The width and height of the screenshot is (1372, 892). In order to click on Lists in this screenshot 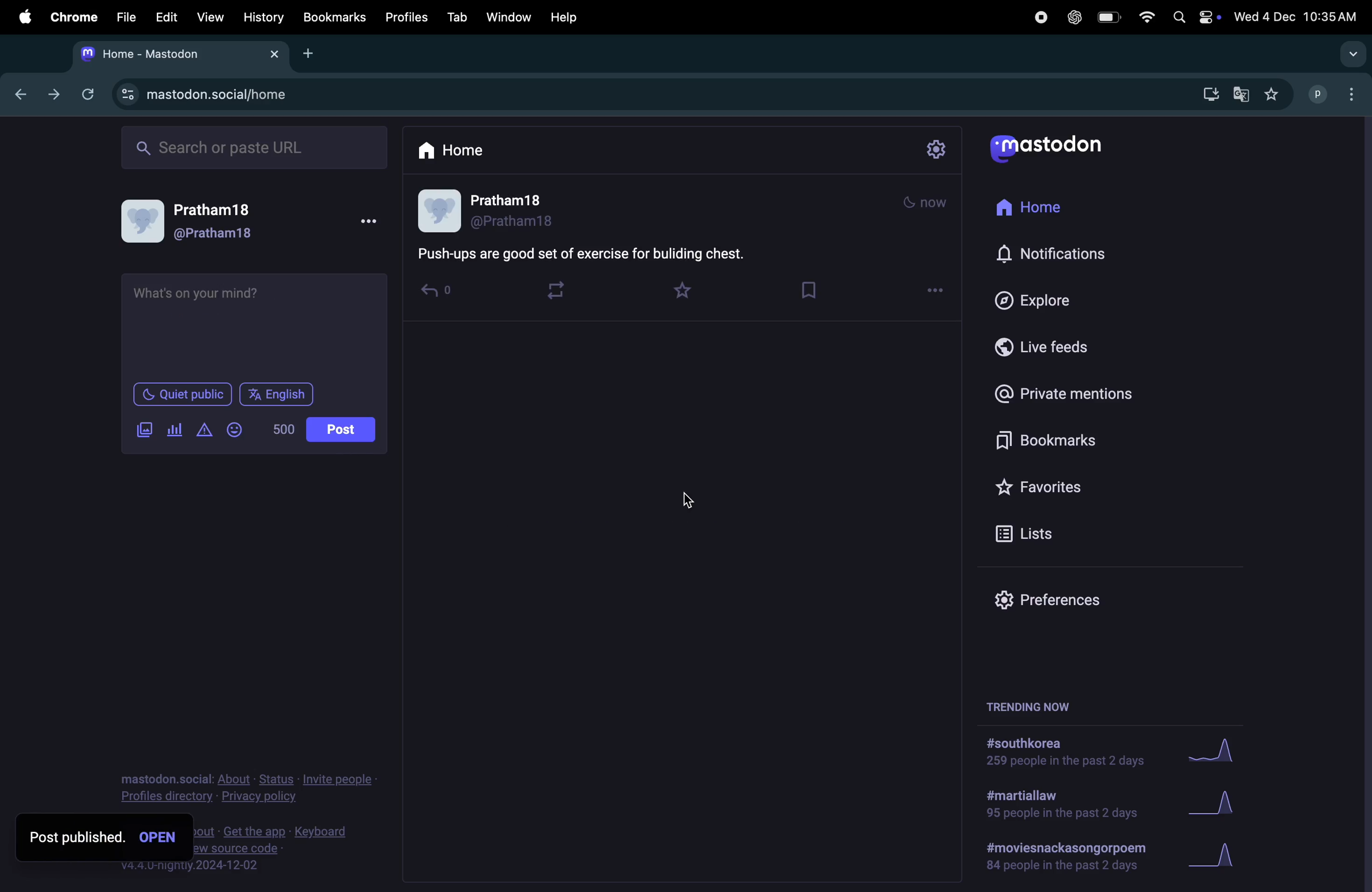, I will do `click(1032, 532)`.